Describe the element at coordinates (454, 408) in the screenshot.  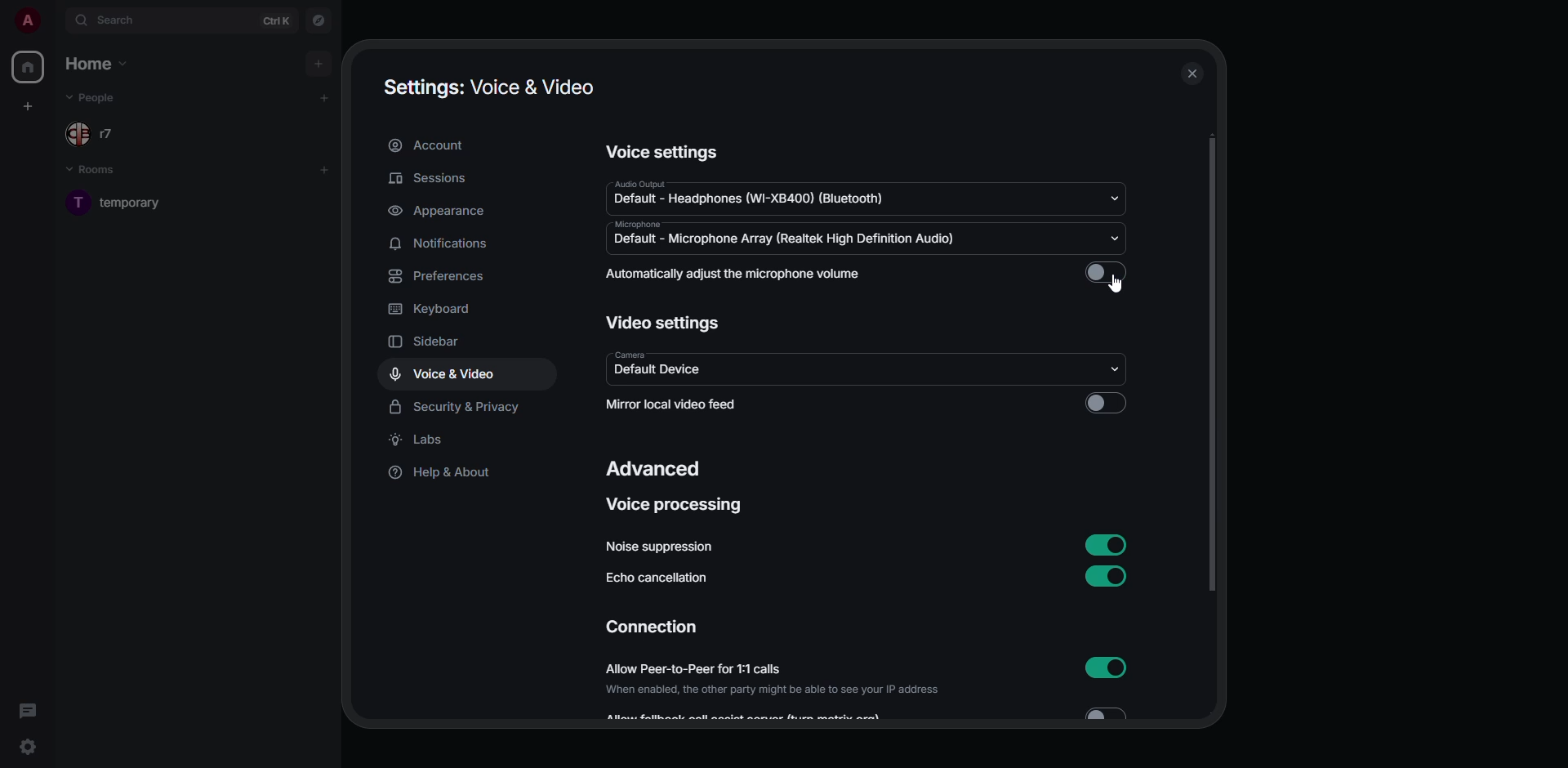
I see `security & privacy` at that location.